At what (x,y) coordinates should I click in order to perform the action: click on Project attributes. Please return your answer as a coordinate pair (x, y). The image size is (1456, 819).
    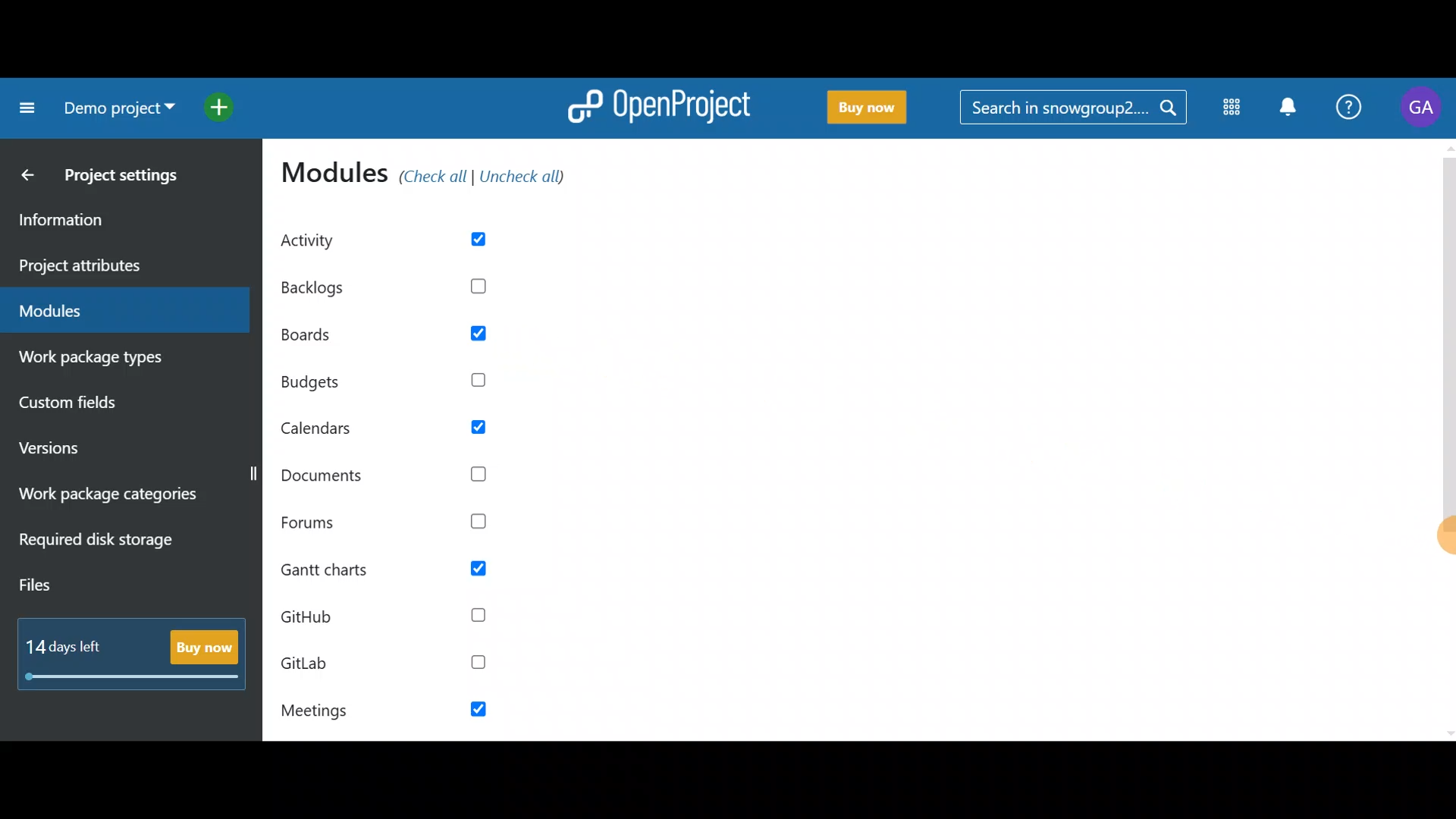
    Looking at the image, I should click on (120, 266).